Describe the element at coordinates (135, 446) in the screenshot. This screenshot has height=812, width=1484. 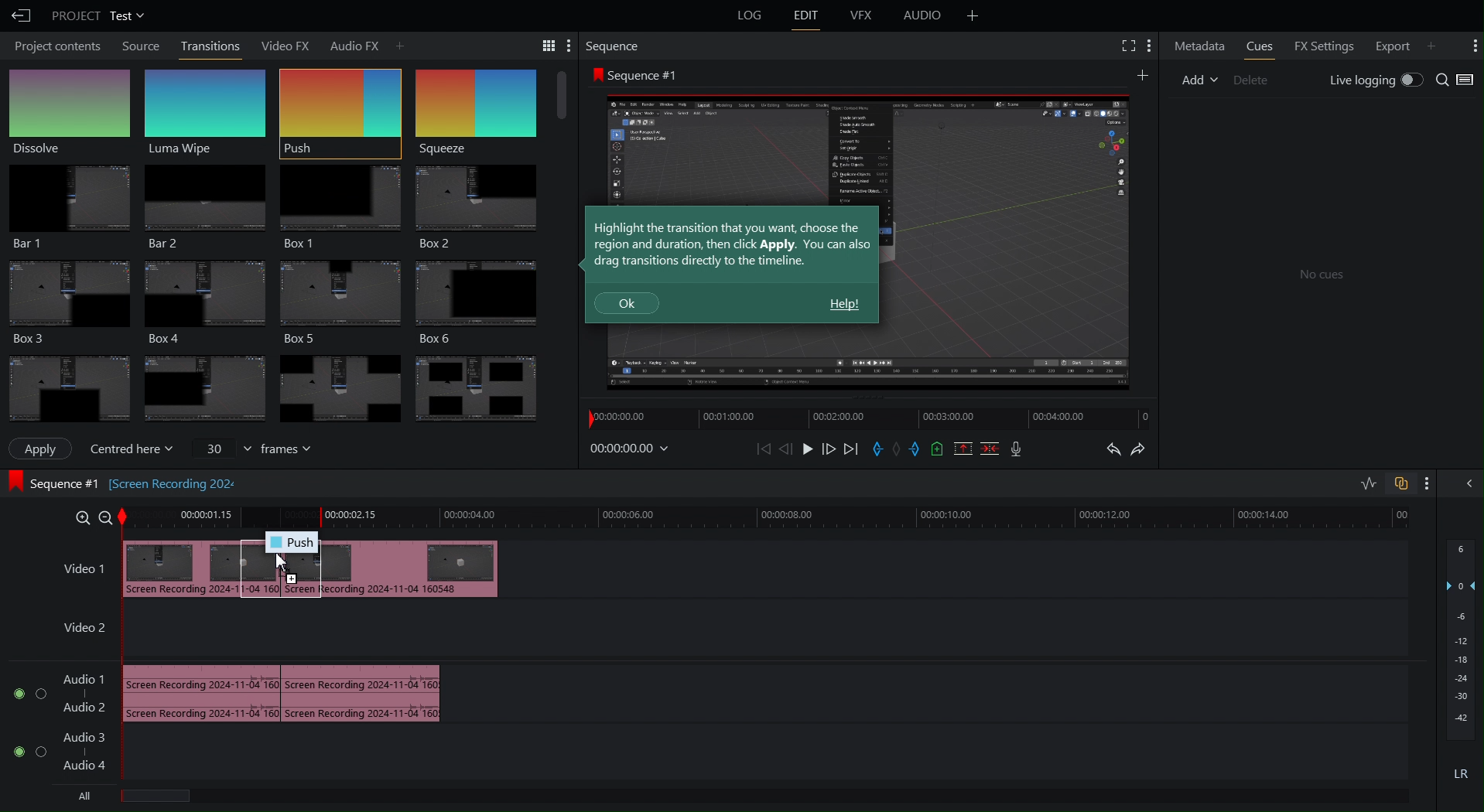
I see `Centered here` at that location.